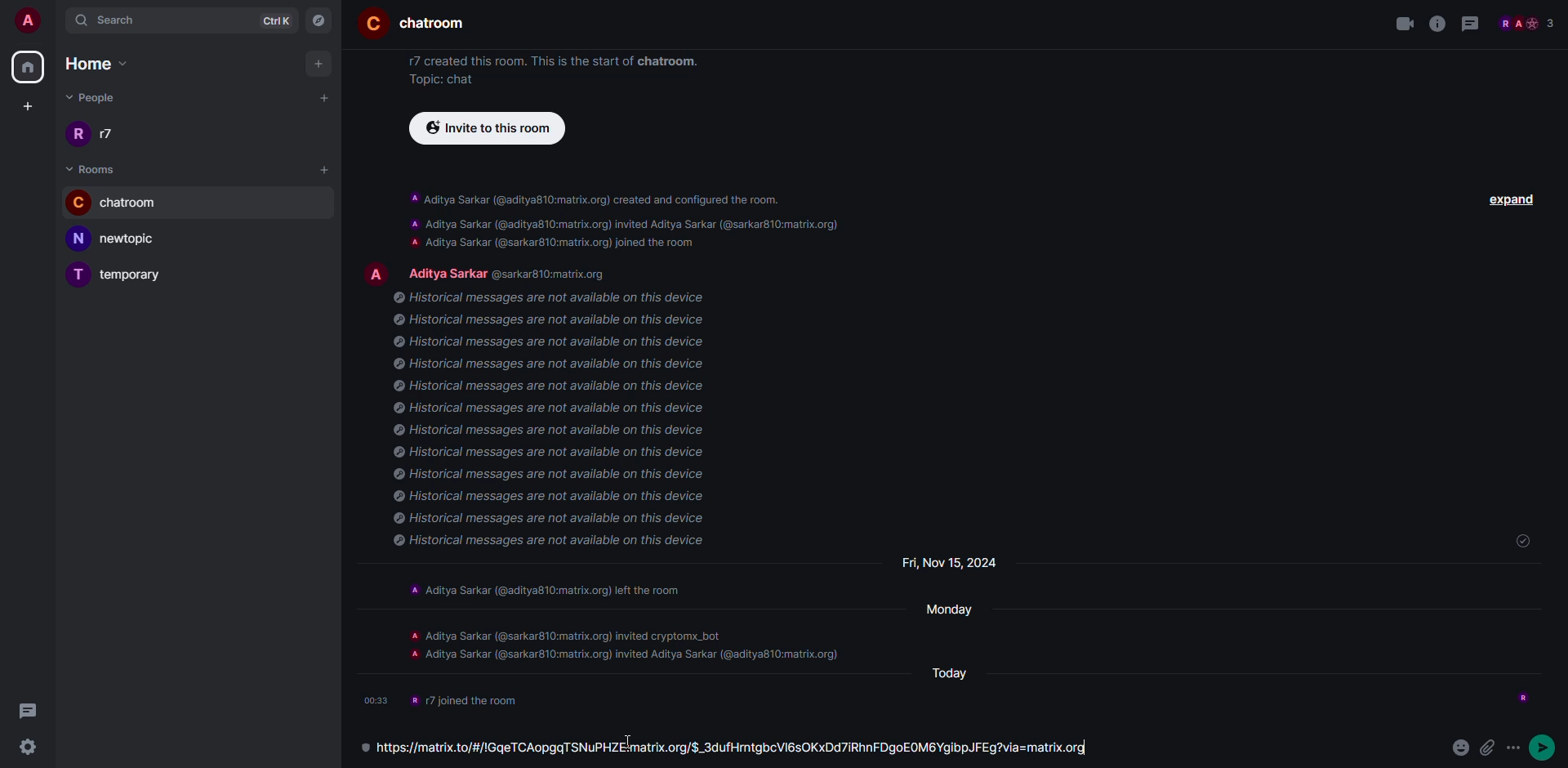 The width and height of the screenshot is (1568, 768). I want to click on 17 created this room. This is the start of chatroom.
Topic: chat, so click(549, 69).